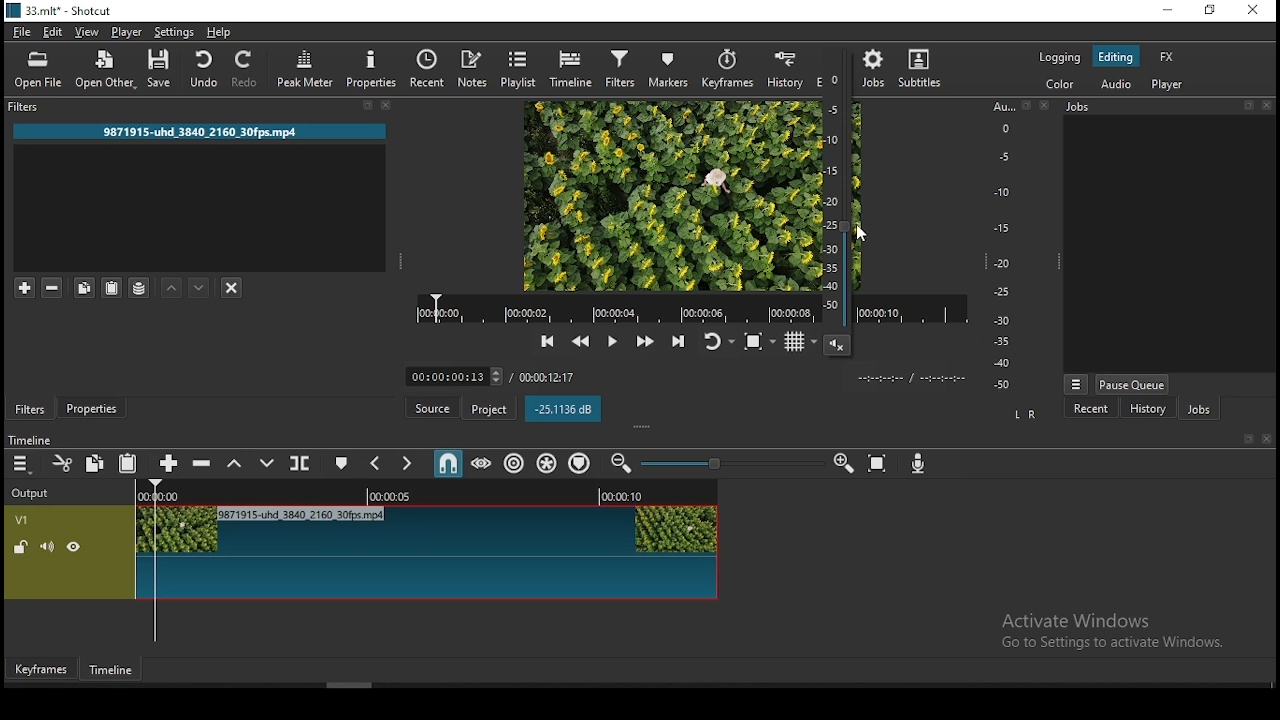 The height and width of the screenshot is (720, 1280). Describe the element at coordinates (564, 410) in the screenshot. I see `-25.1136 dB` at that location.